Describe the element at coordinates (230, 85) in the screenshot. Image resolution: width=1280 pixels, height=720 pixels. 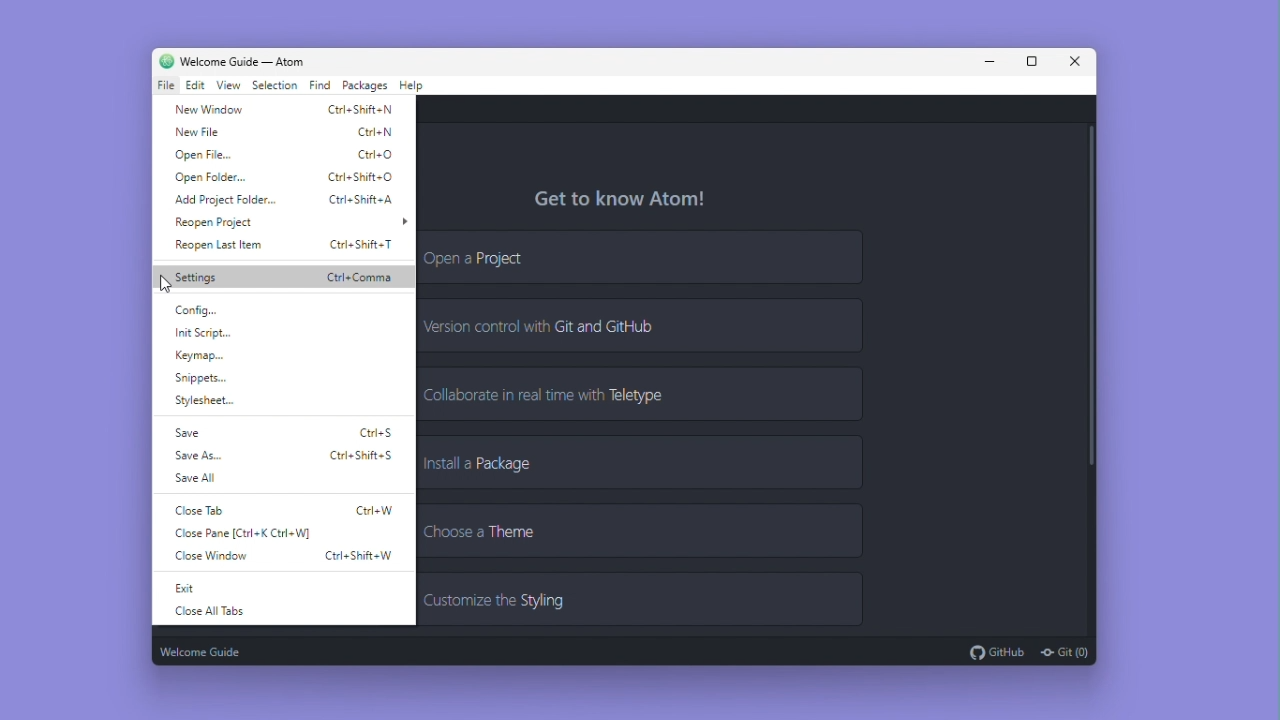
I see `View` at that location.